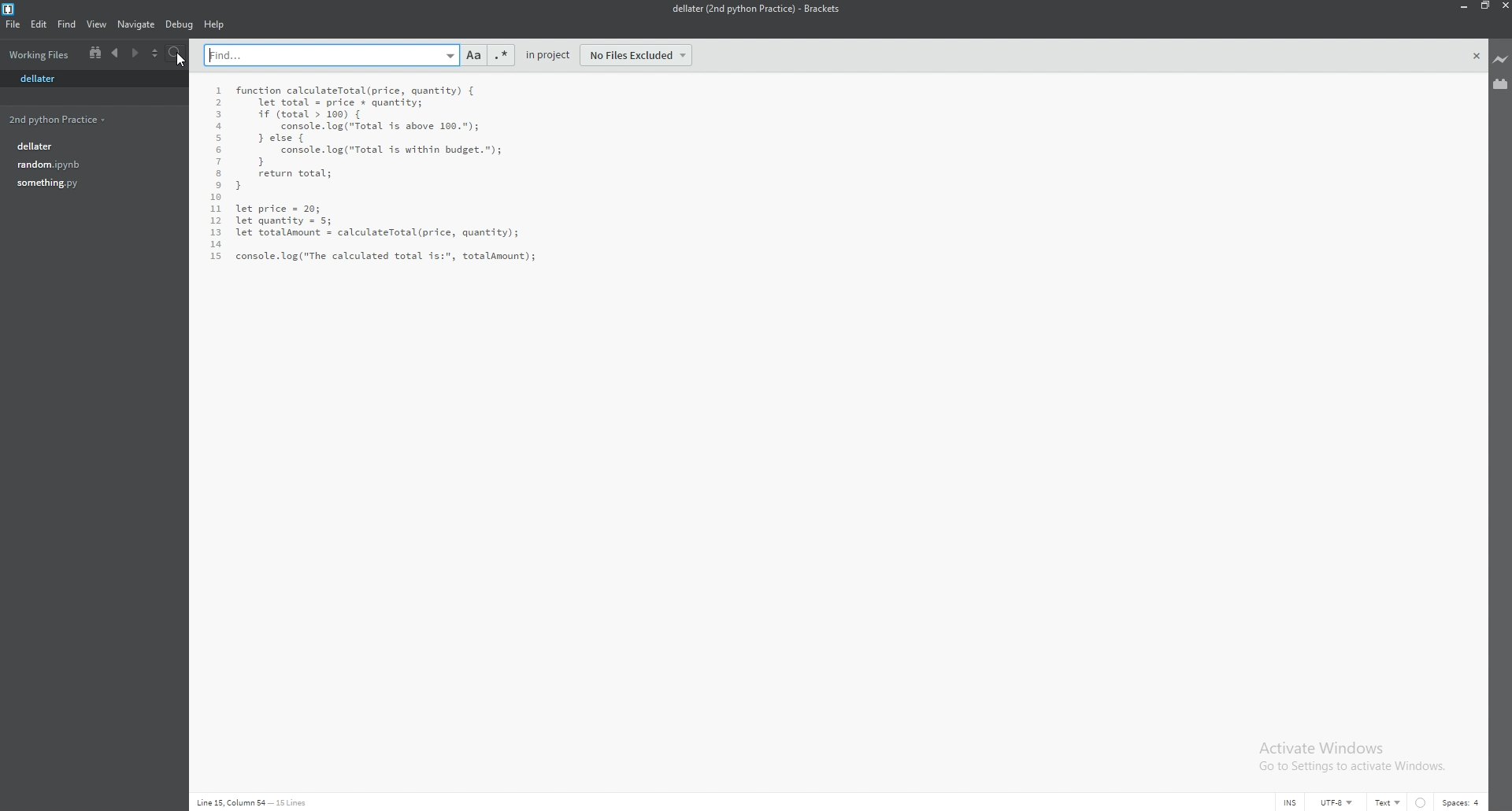 The width and height of the screenshot is (1512, 811). Describe the element at coordinates (91, 165) in the screenshot. I see `random.ipynb` at that location.